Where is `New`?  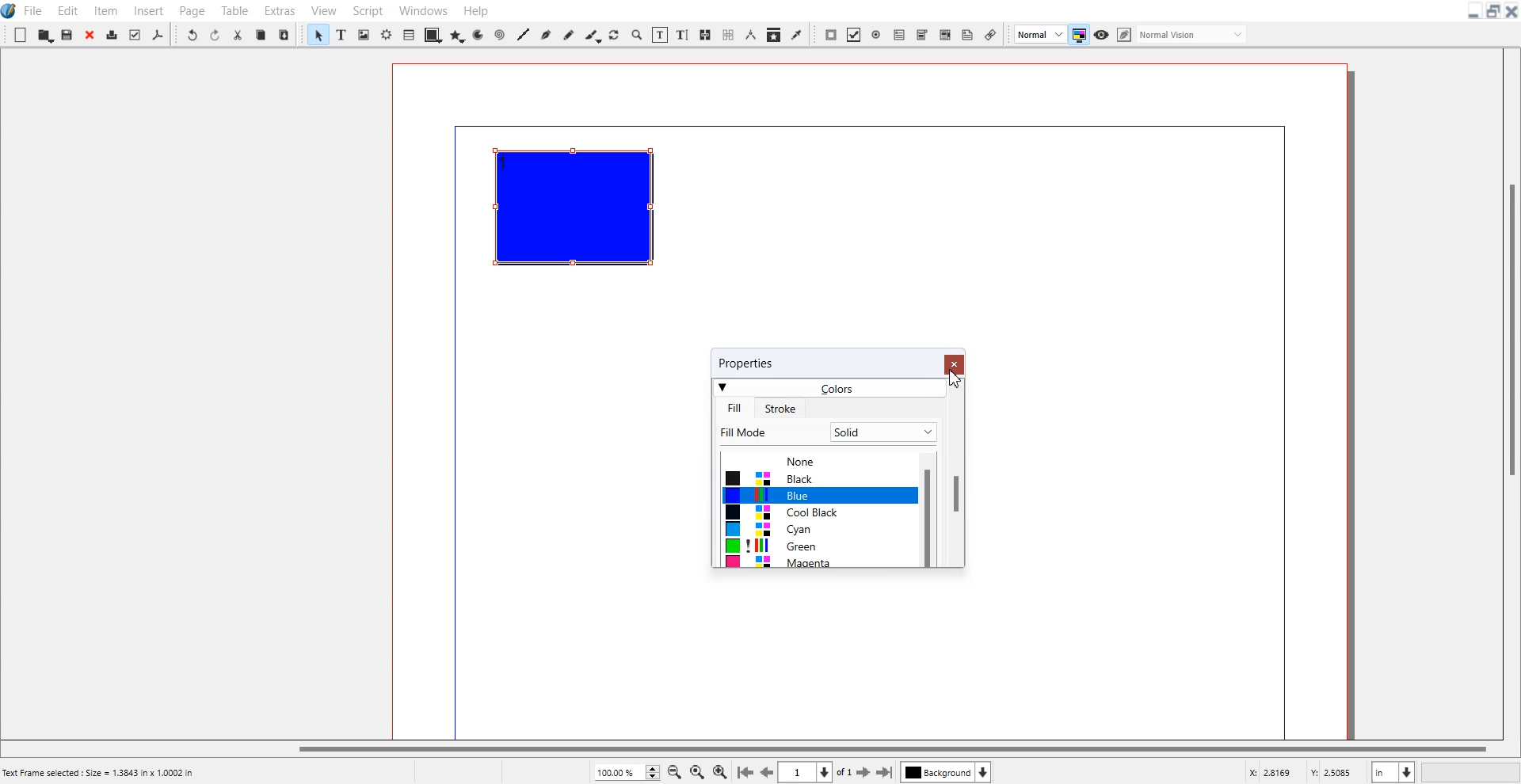
New is located at coordinates (20, 35).